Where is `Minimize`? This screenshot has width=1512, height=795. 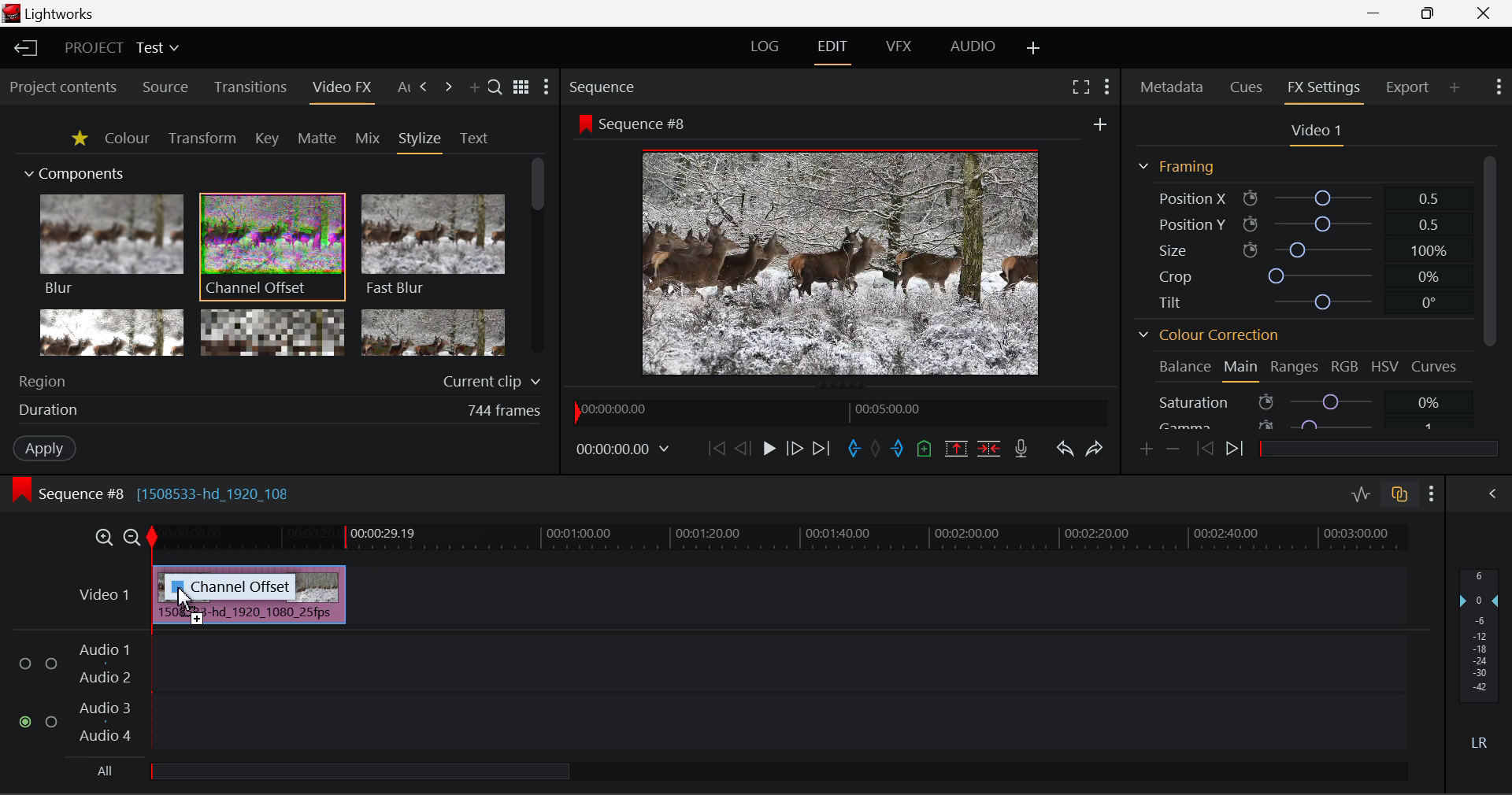 Minimize is located at coordinates (1431, 13).